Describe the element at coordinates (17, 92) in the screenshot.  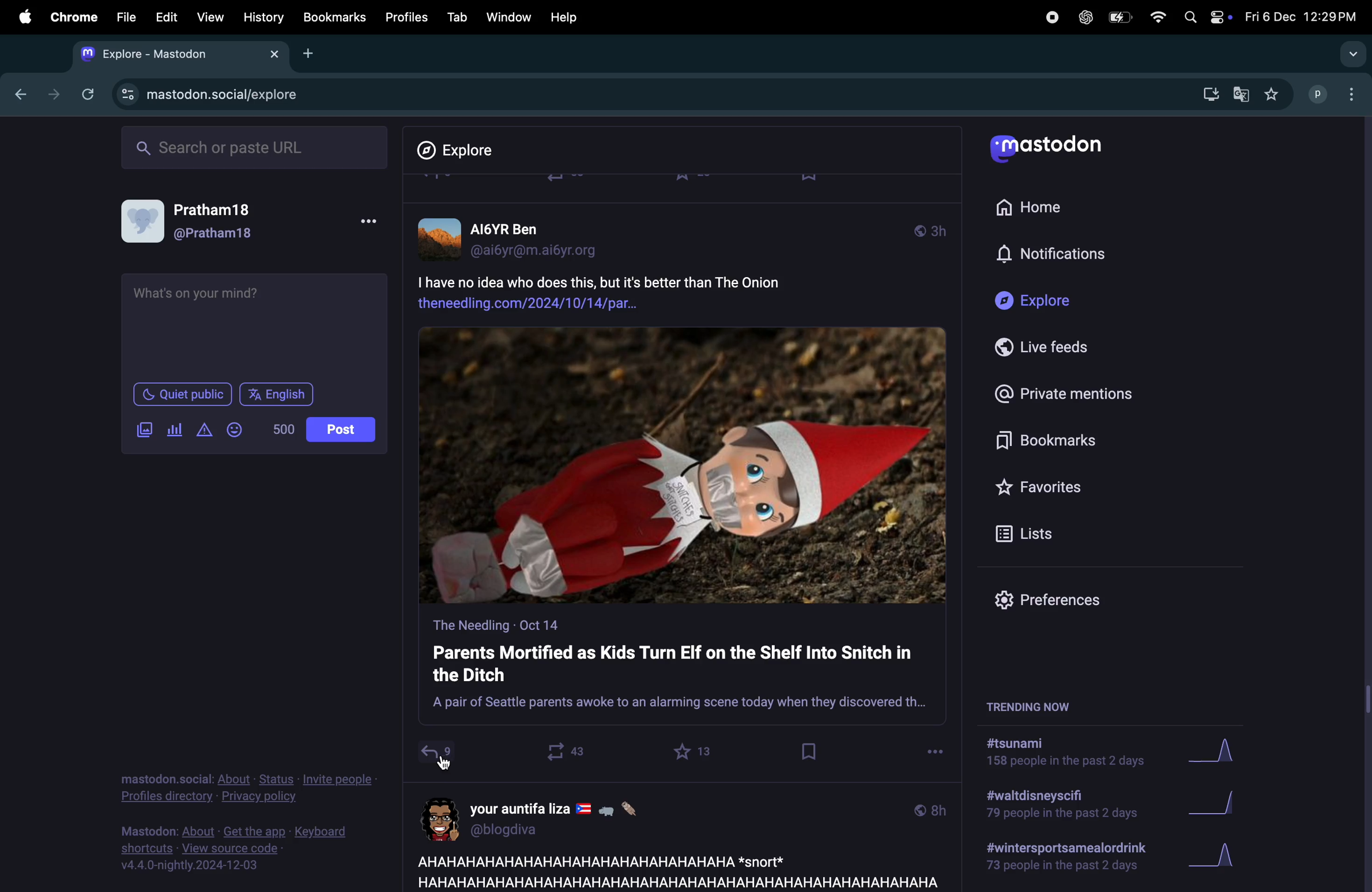
I see `back ward` at that location.